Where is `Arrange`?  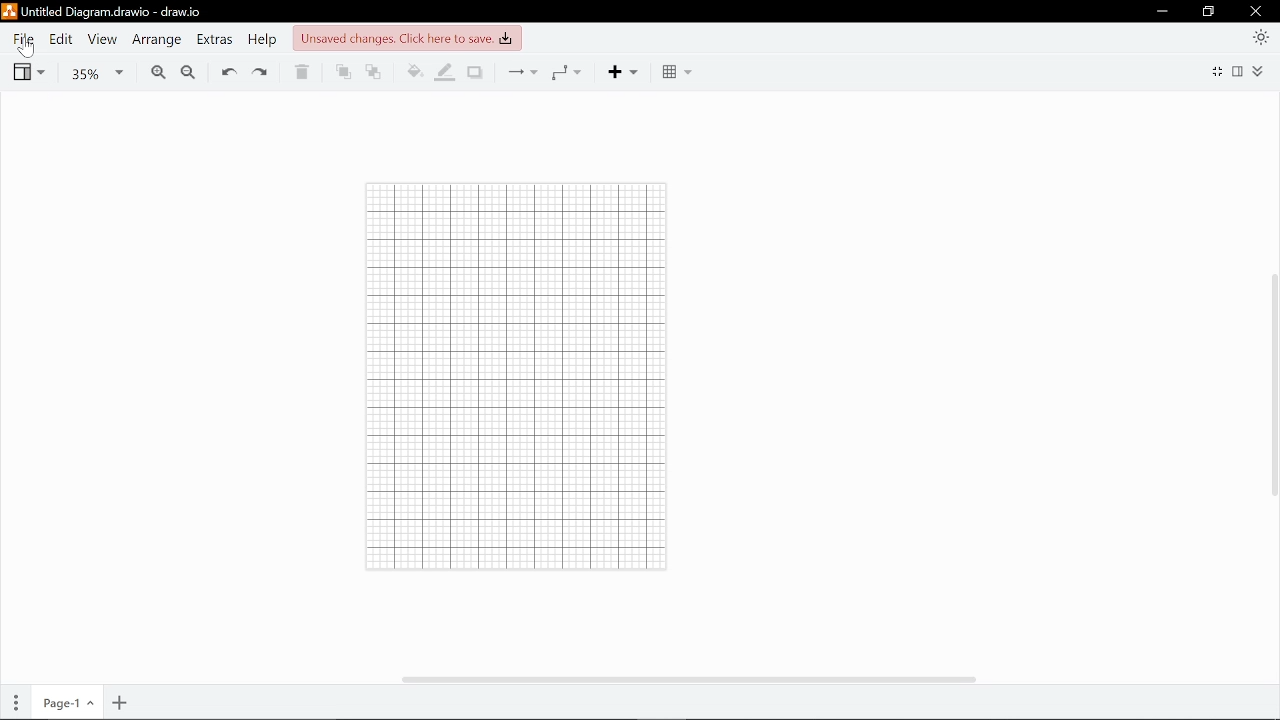
Arrange is located at coordinates (157, 39).